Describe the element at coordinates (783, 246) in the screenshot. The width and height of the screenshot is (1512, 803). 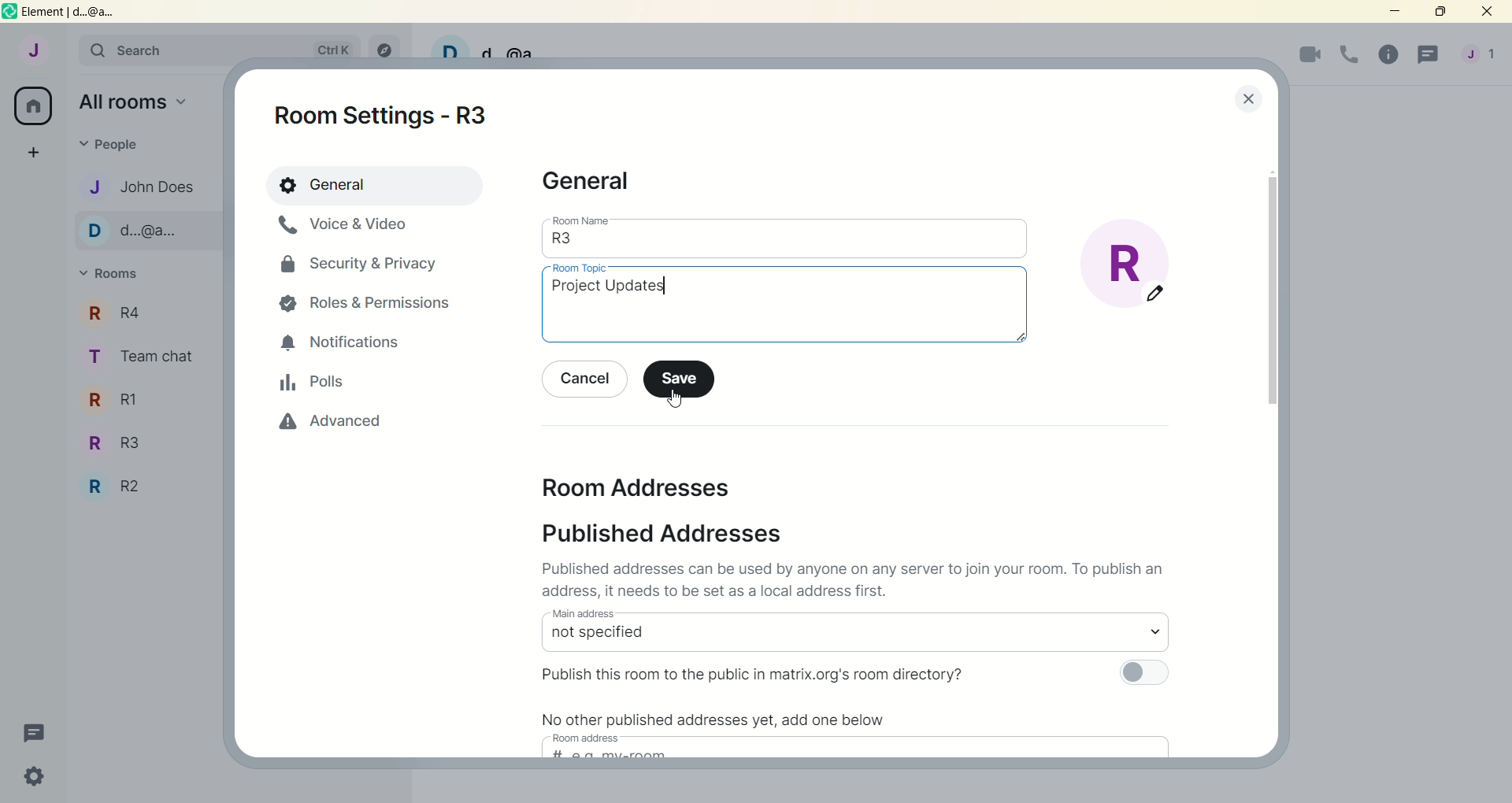
I see `room name` at that location.